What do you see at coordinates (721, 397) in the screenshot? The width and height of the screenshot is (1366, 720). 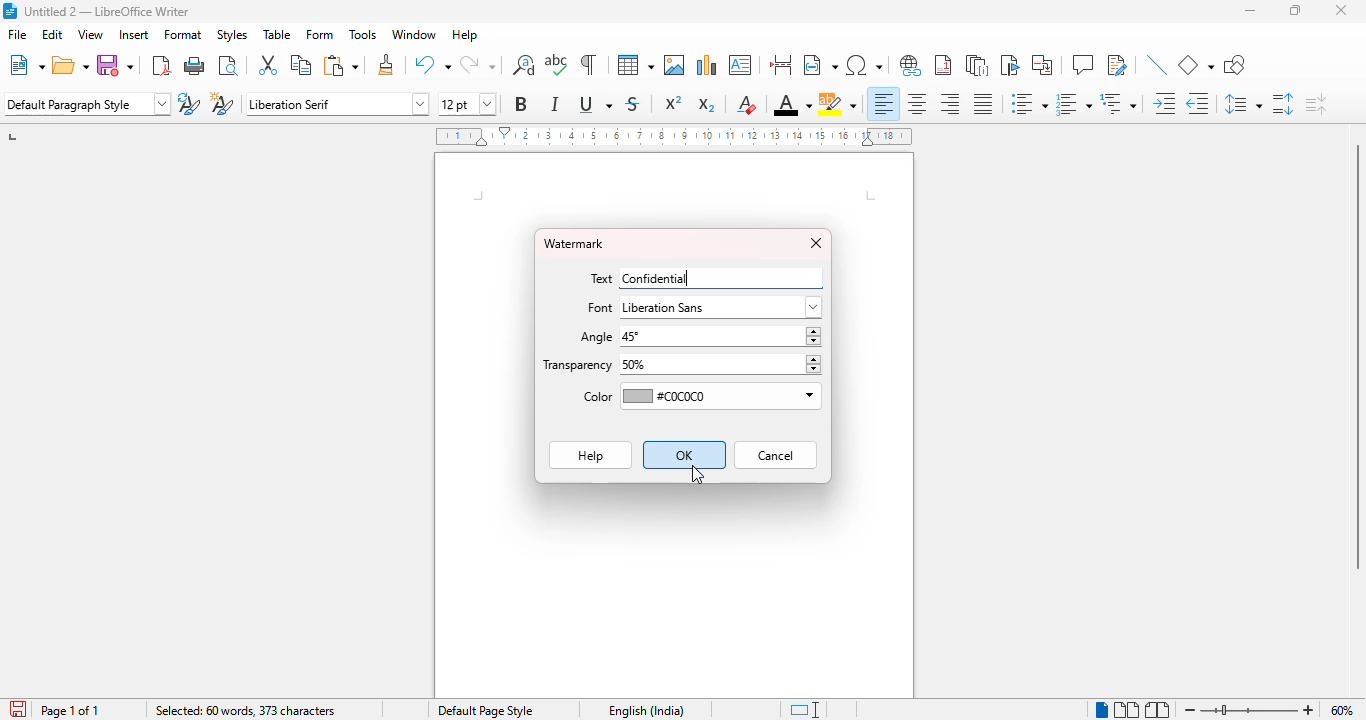 I see ` #C0C0C0` at bounding box center [721, 397].